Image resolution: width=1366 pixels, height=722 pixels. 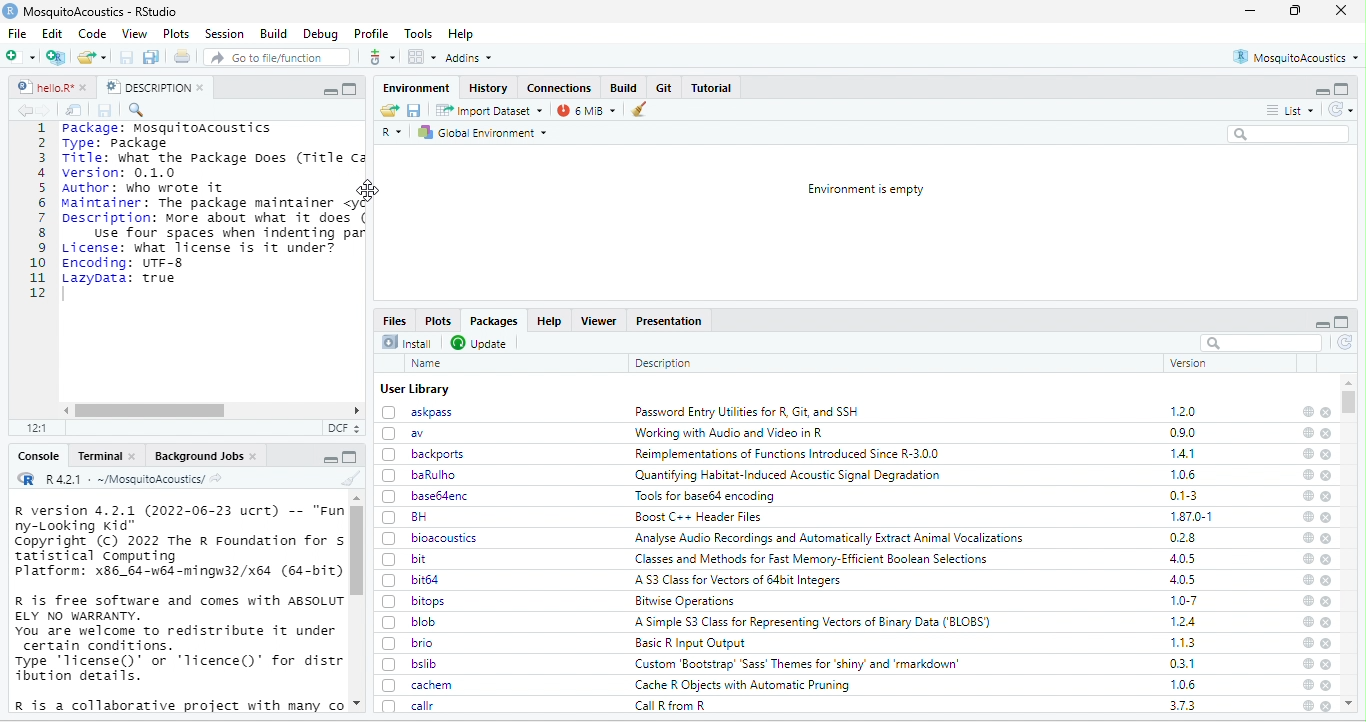 What do you see at coordinates (748, 685) in the screenshot?
I see `Cache R Objects with Automatic Pruning` at bounding box center [748, 685].